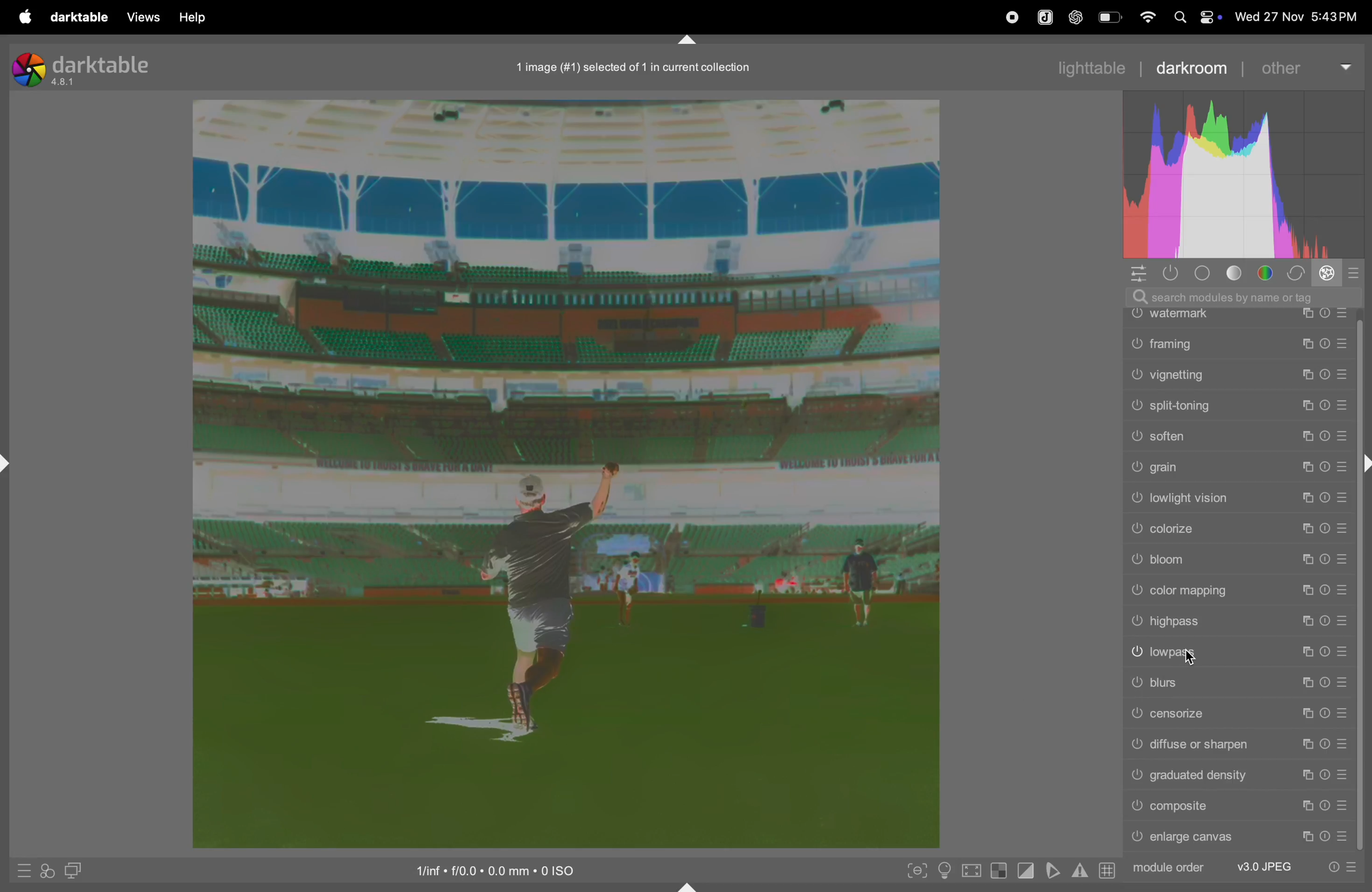  What do you see at coordinates (24, 17) in the screenshot?
I see `Apple menu` at bounding box center [24, 17].